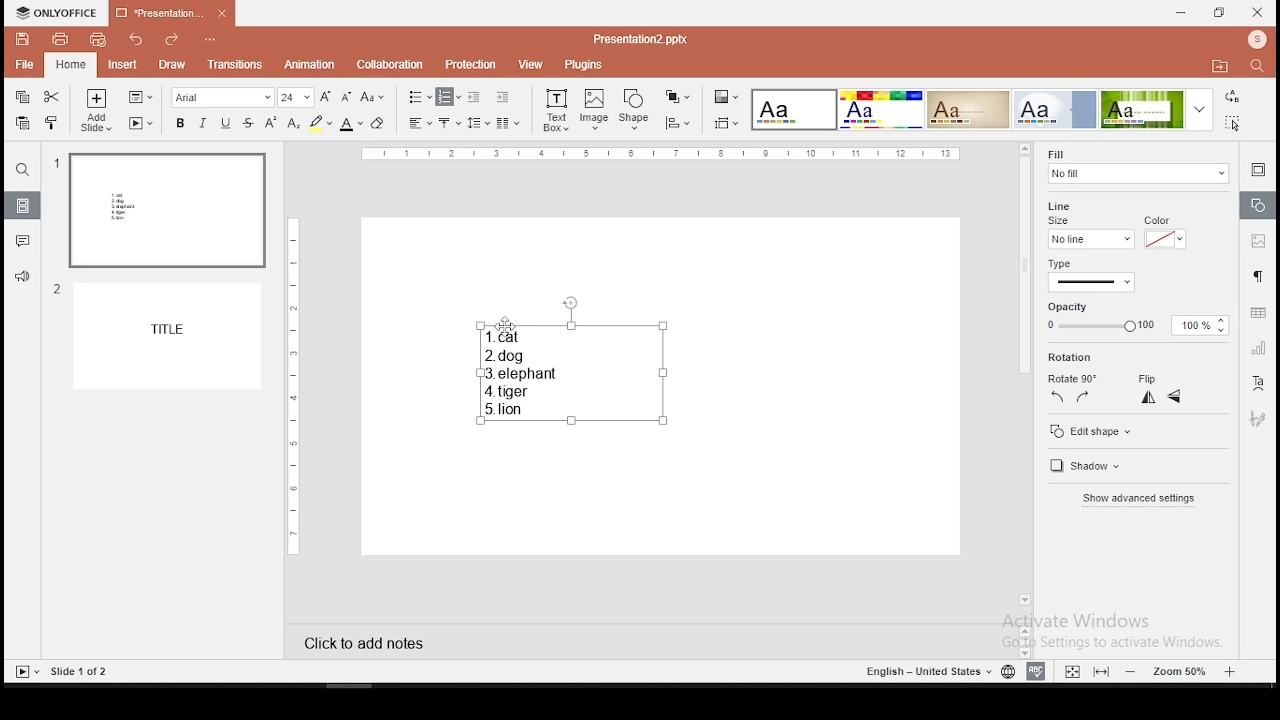  What do you see at coordinates (54, 123) in the screenshot?
I see `clone formatting` at bounding box center [54, 123].